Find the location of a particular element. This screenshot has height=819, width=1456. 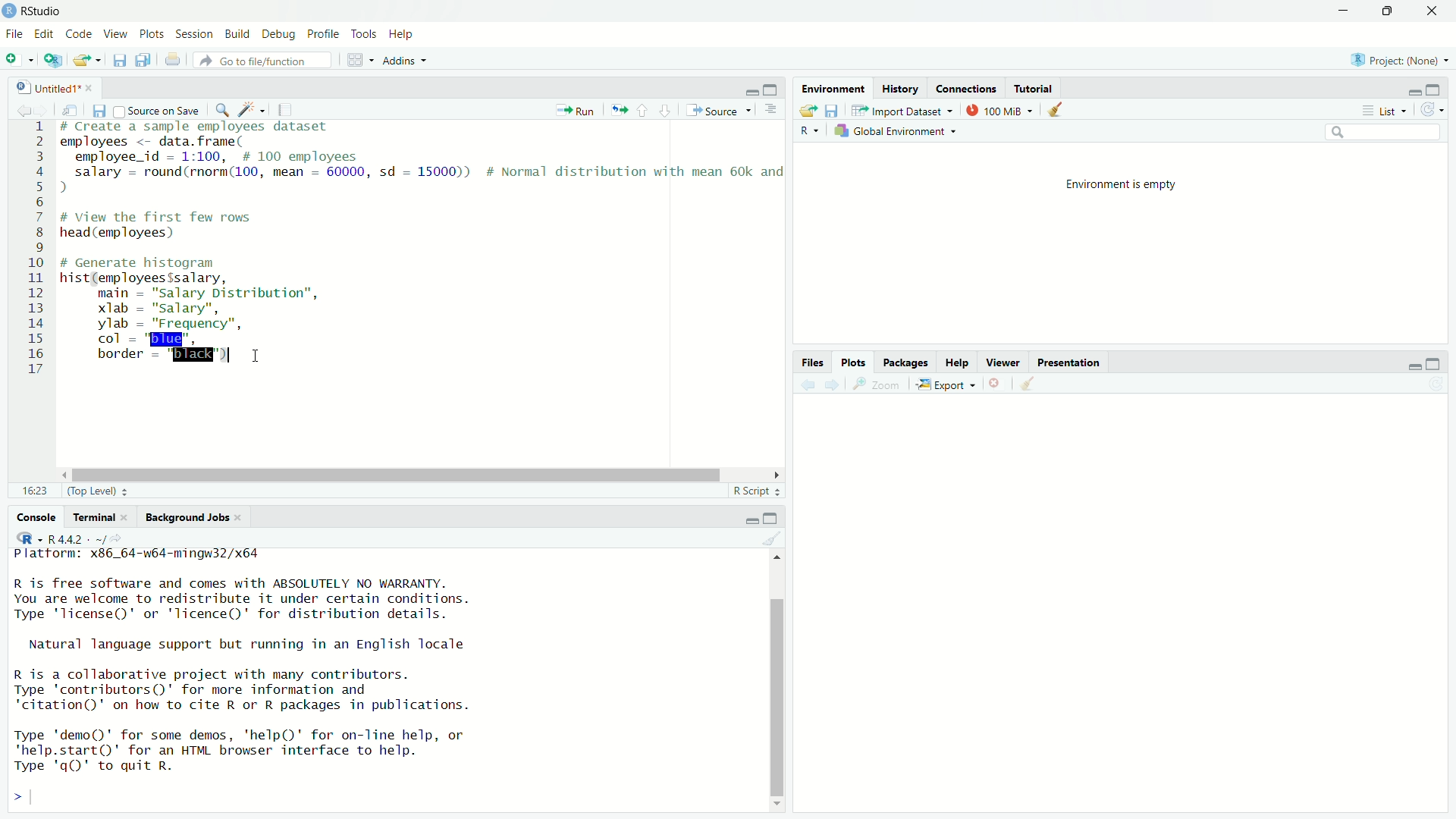

zoom is located at coordinates (877, 384).